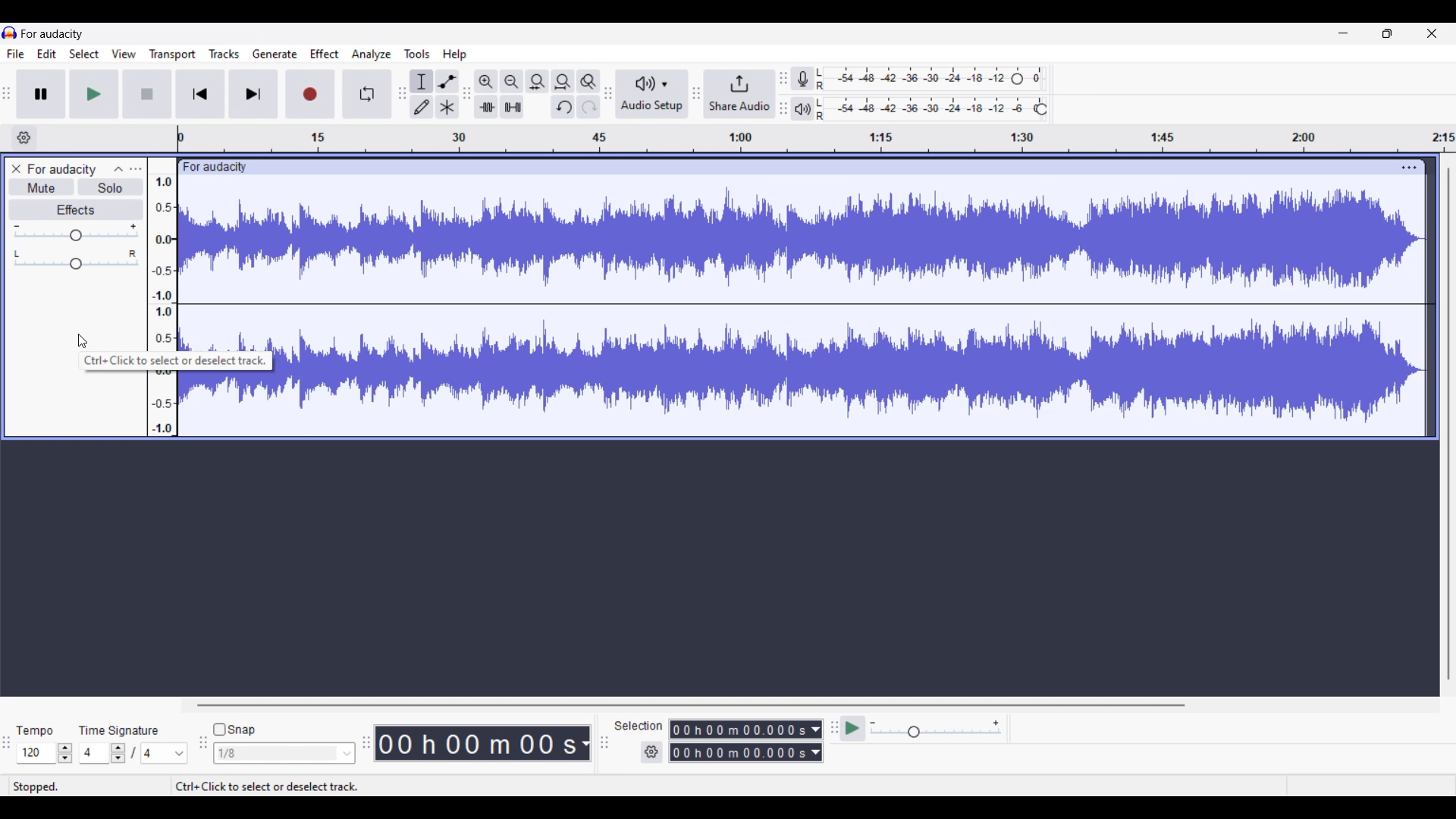  What do you see at coordinates (802, 78) in the screenshot?
I see `Recording meter` at bounding box center [802, 78].